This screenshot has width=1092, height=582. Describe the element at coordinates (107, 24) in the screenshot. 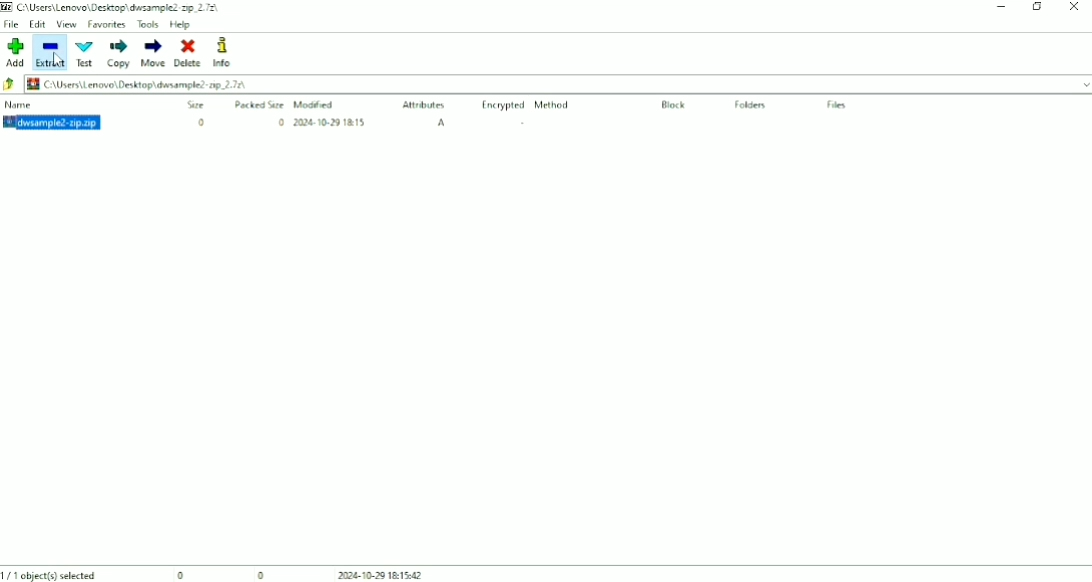

I see `Favorites` at that location.